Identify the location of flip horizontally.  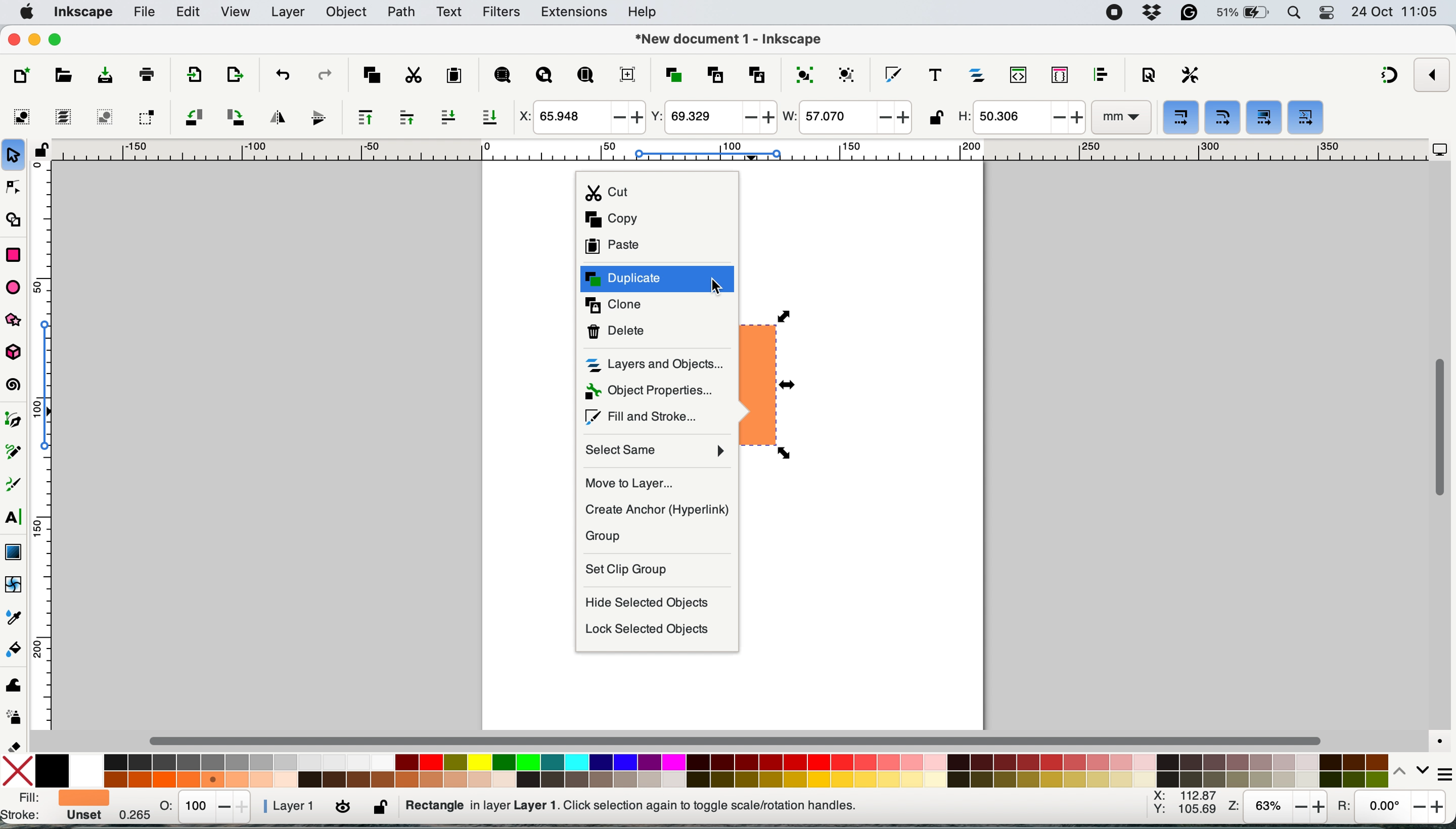
(275, 116).